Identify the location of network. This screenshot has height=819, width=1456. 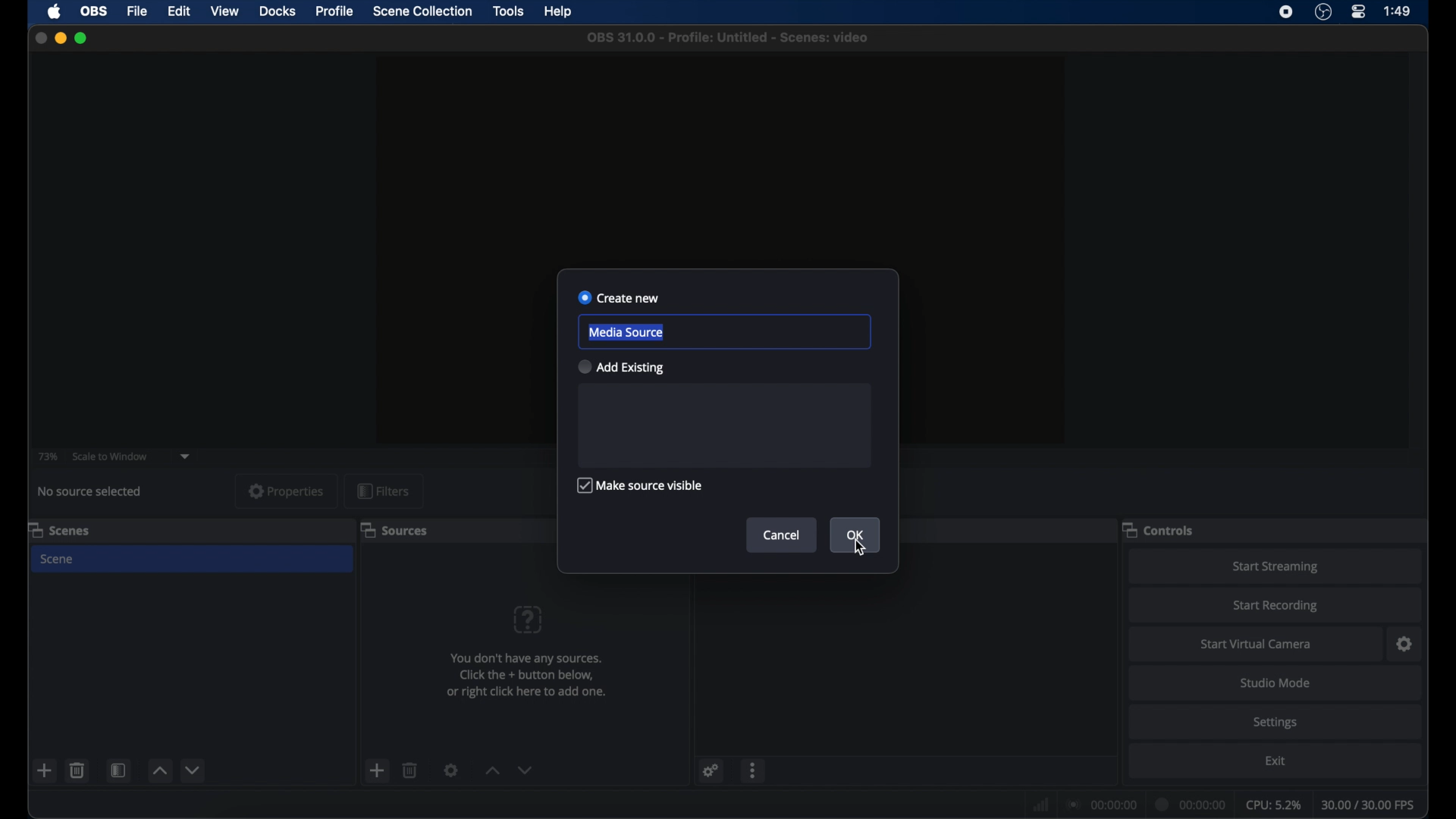
(1041, 803).